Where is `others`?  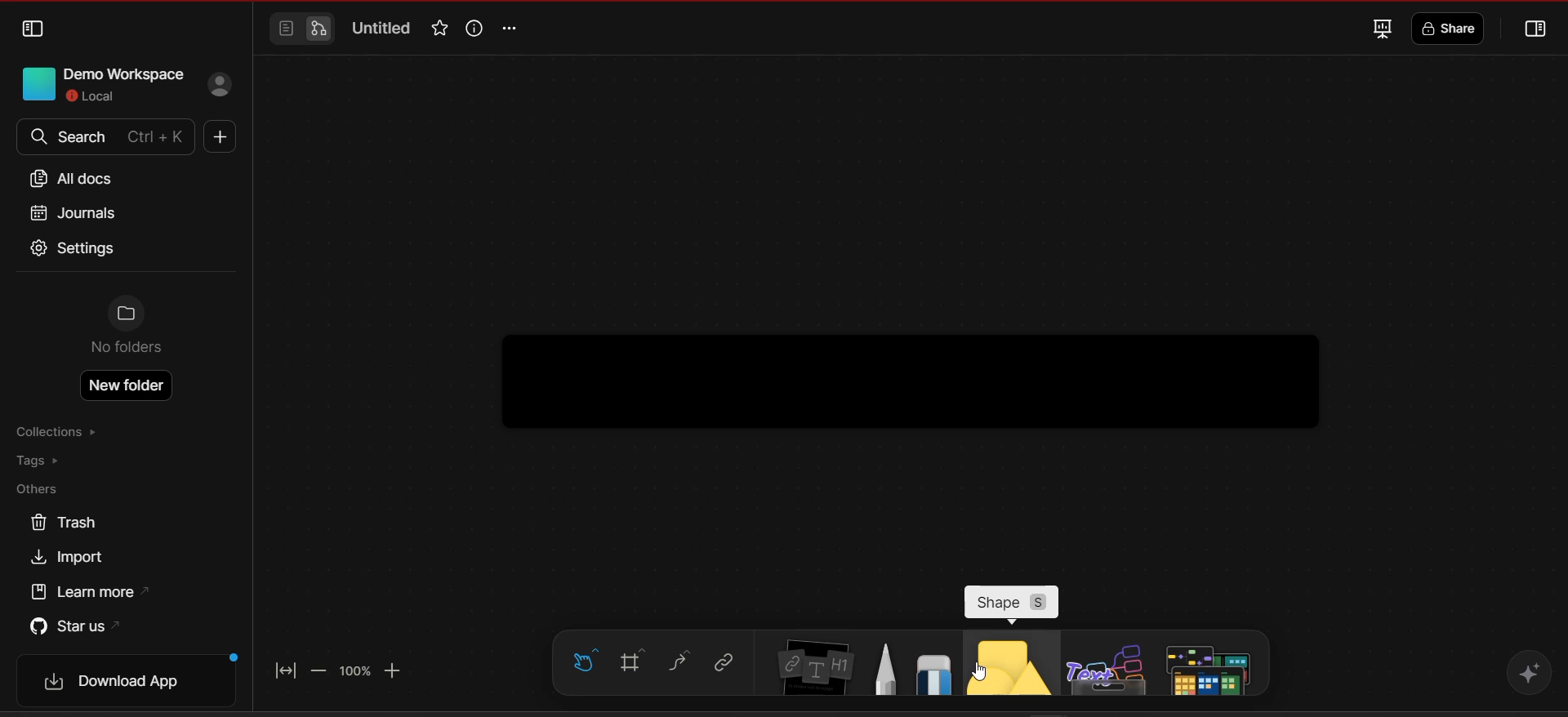 others is located at coordinates (1108, 666).